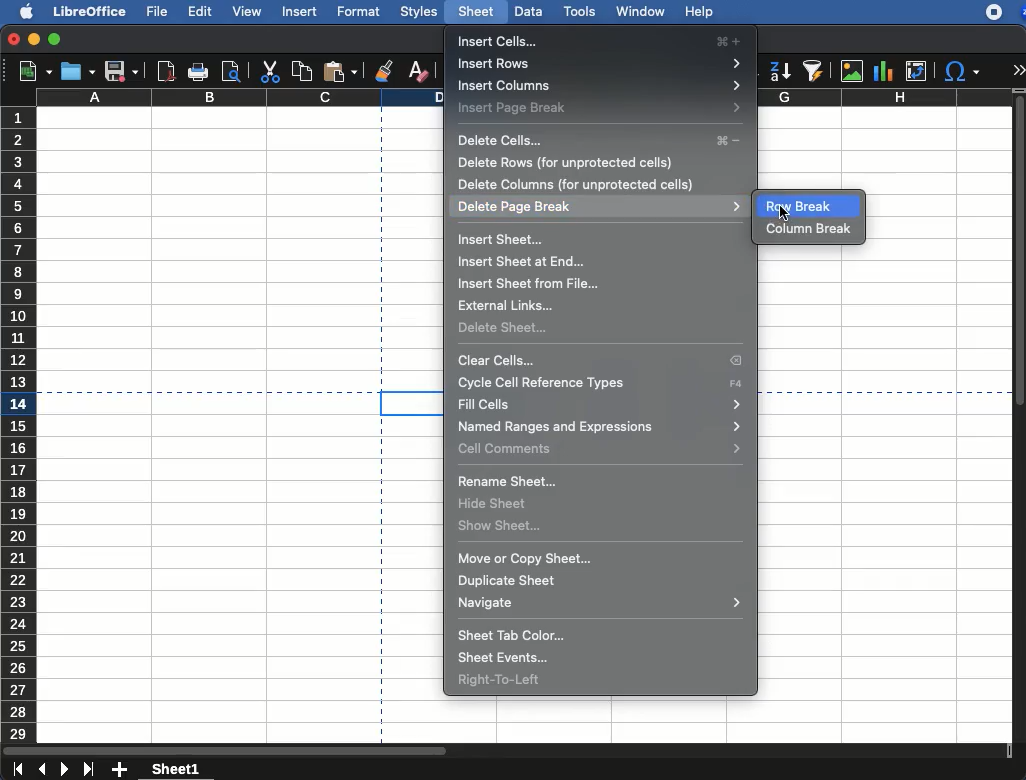  What do you see at coordinates (385, 70) in the screenshot?
I see `clone formatting` at bounding box center [385, 70].